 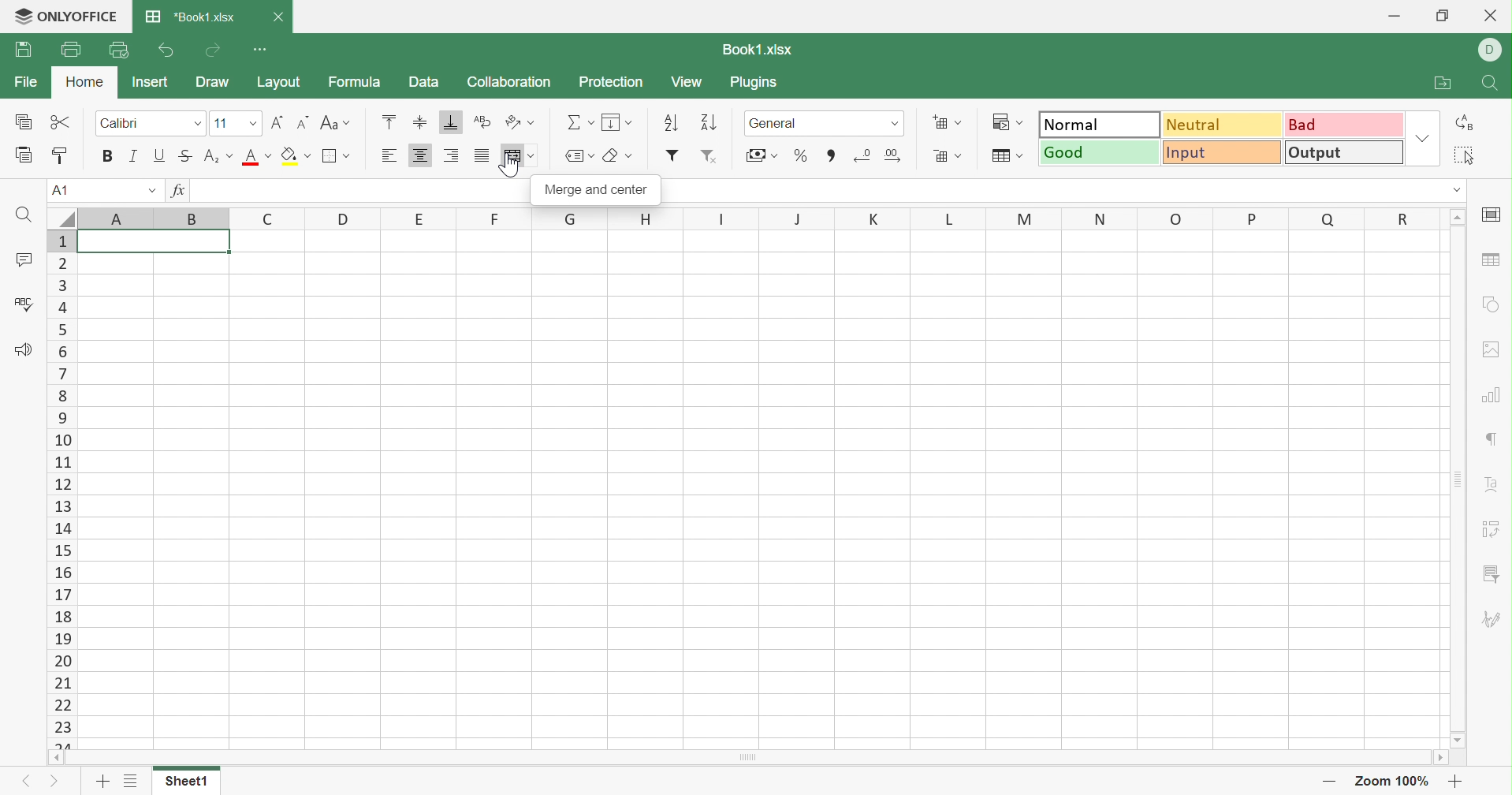 I want to click on Close, so click(x=285, y=18).